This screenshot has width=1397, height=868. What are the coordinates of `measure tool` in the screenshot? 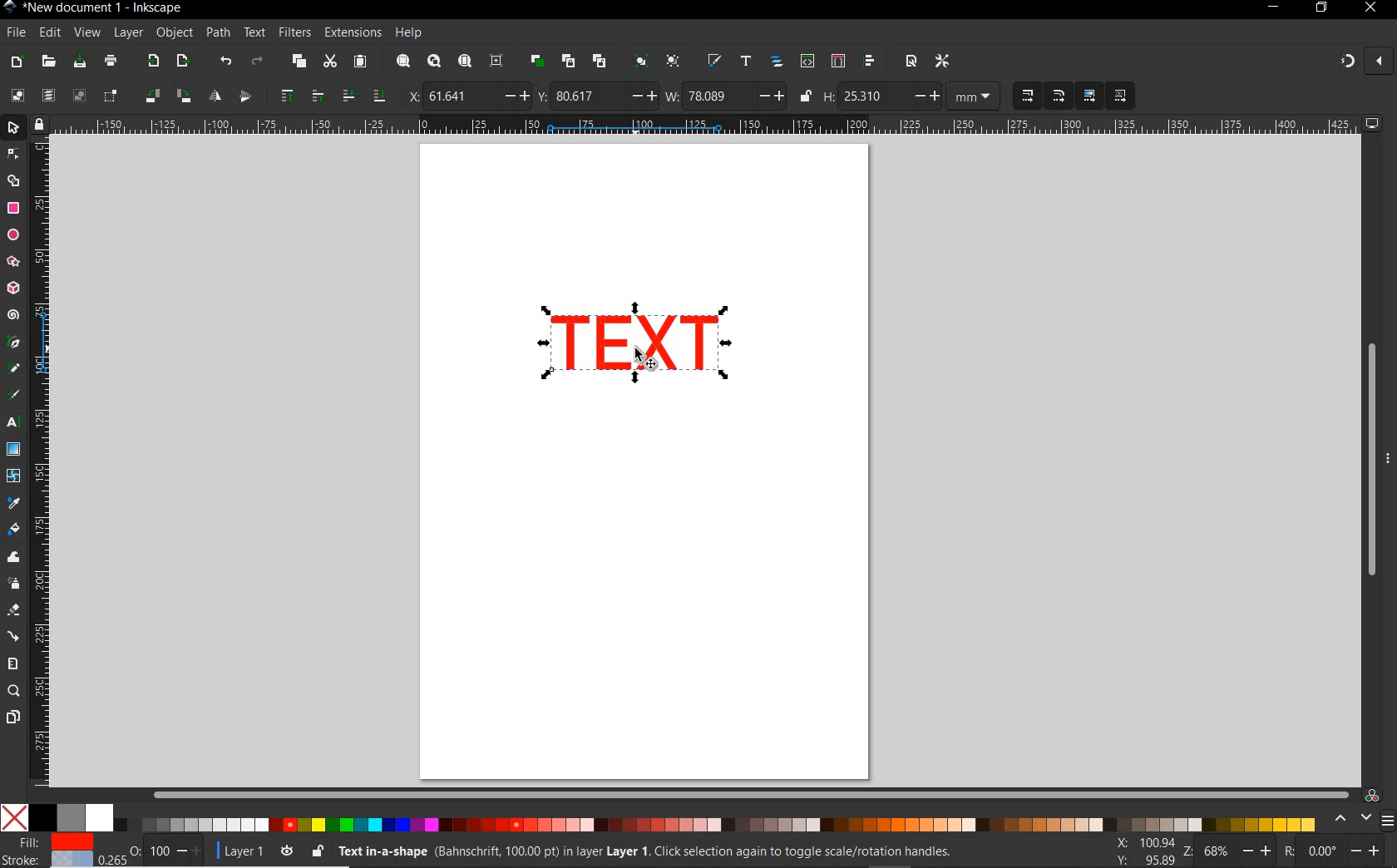 It's located at (13, 663).